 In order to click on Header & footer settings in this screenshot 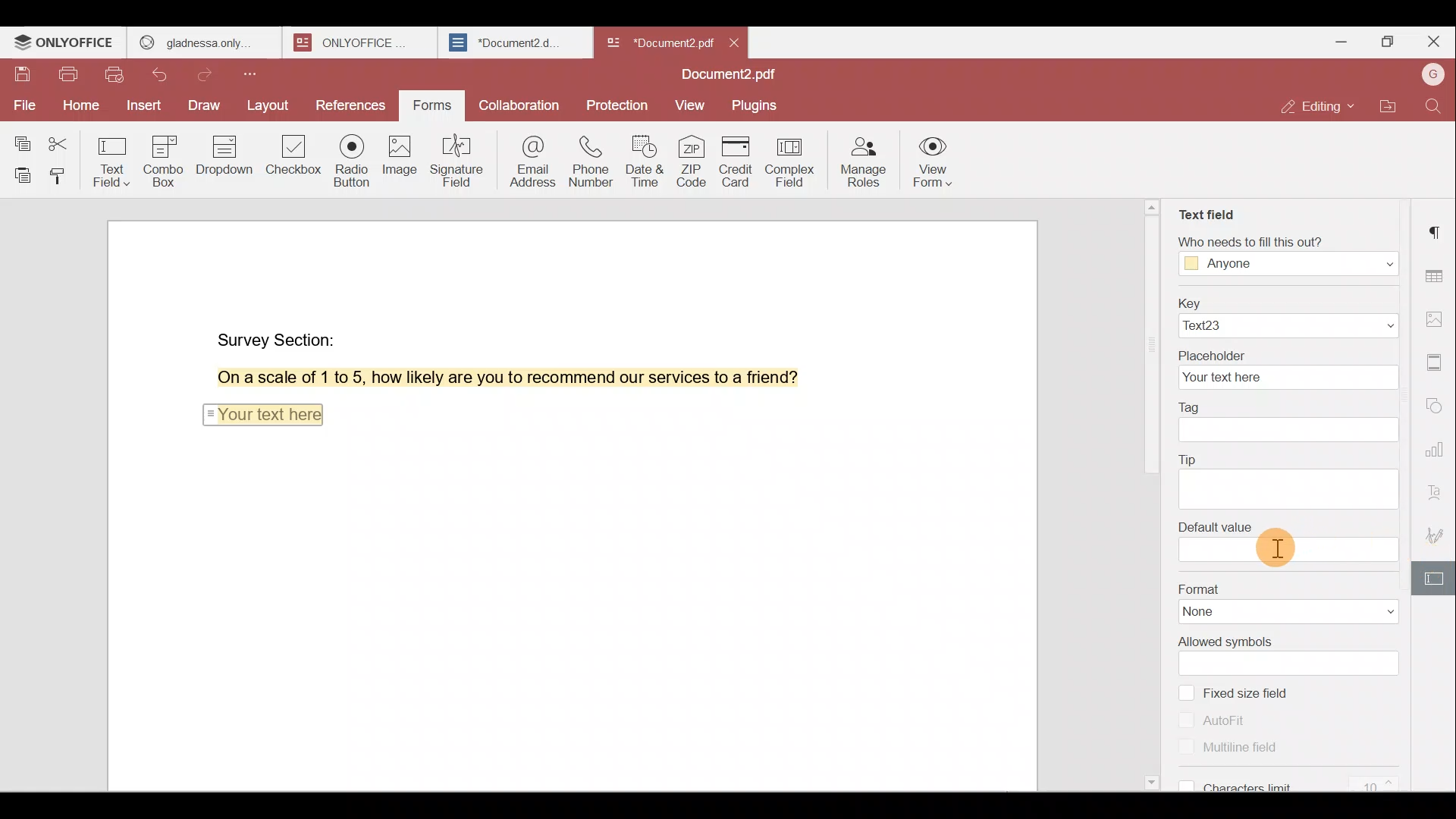, I will do `click(1438, 361)`.